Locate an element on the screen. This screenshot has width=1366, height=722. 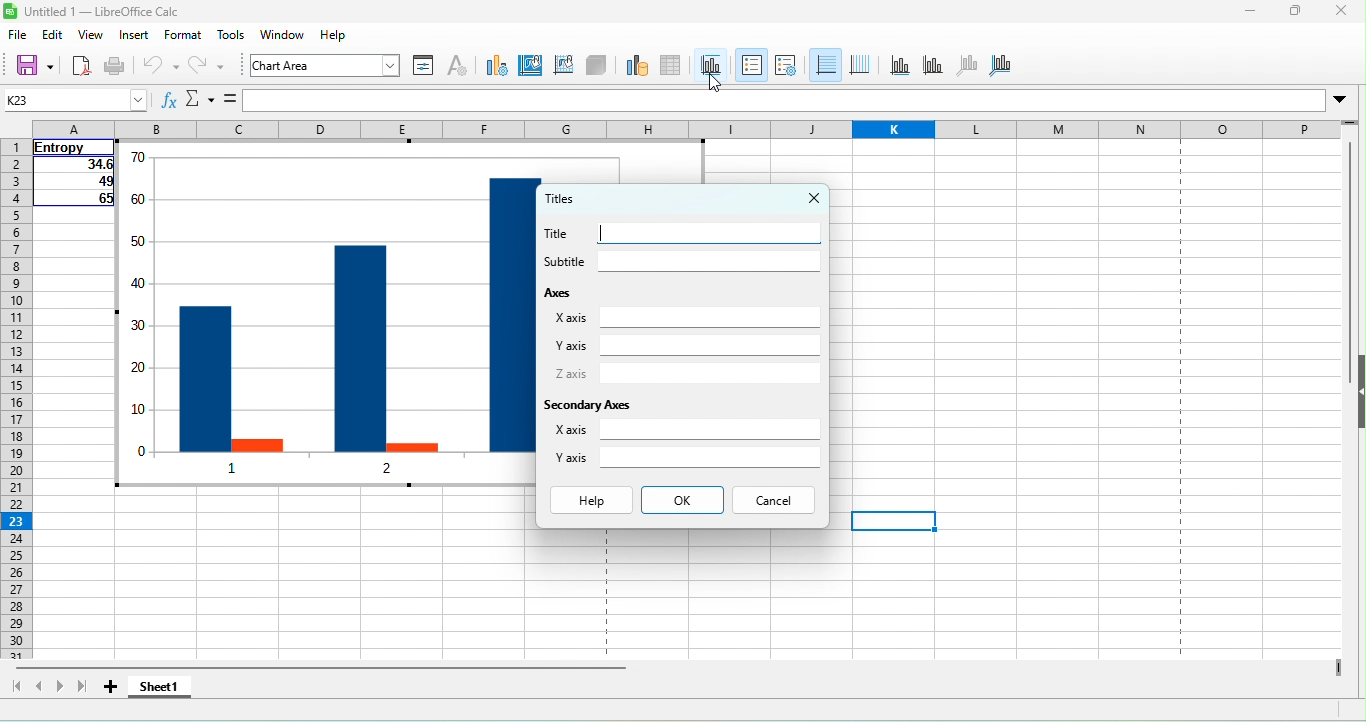
help is located at coordinates (333, 38).